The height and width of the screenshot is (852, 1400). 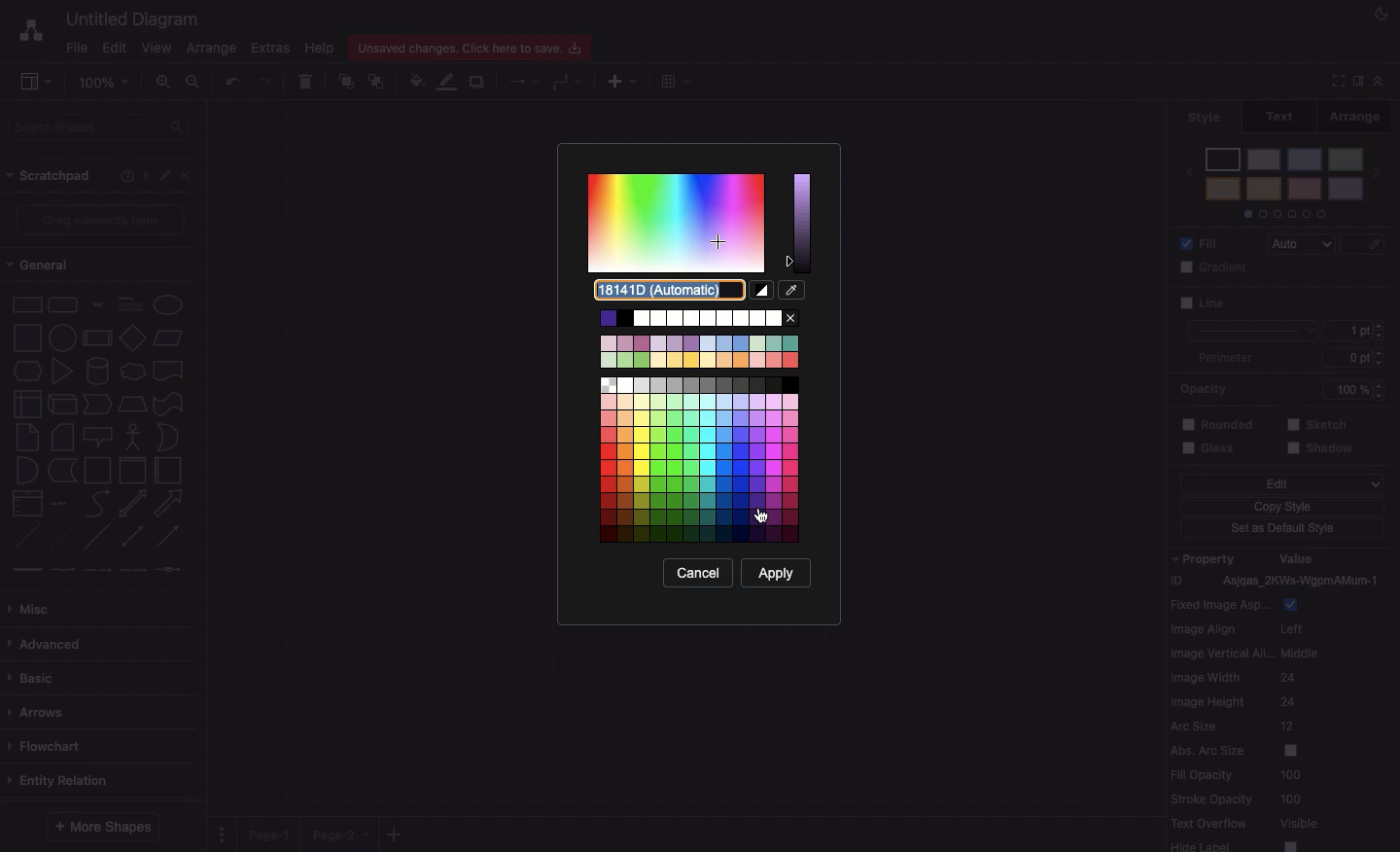 I want to click on cylinder, so click(x=97, y=370).